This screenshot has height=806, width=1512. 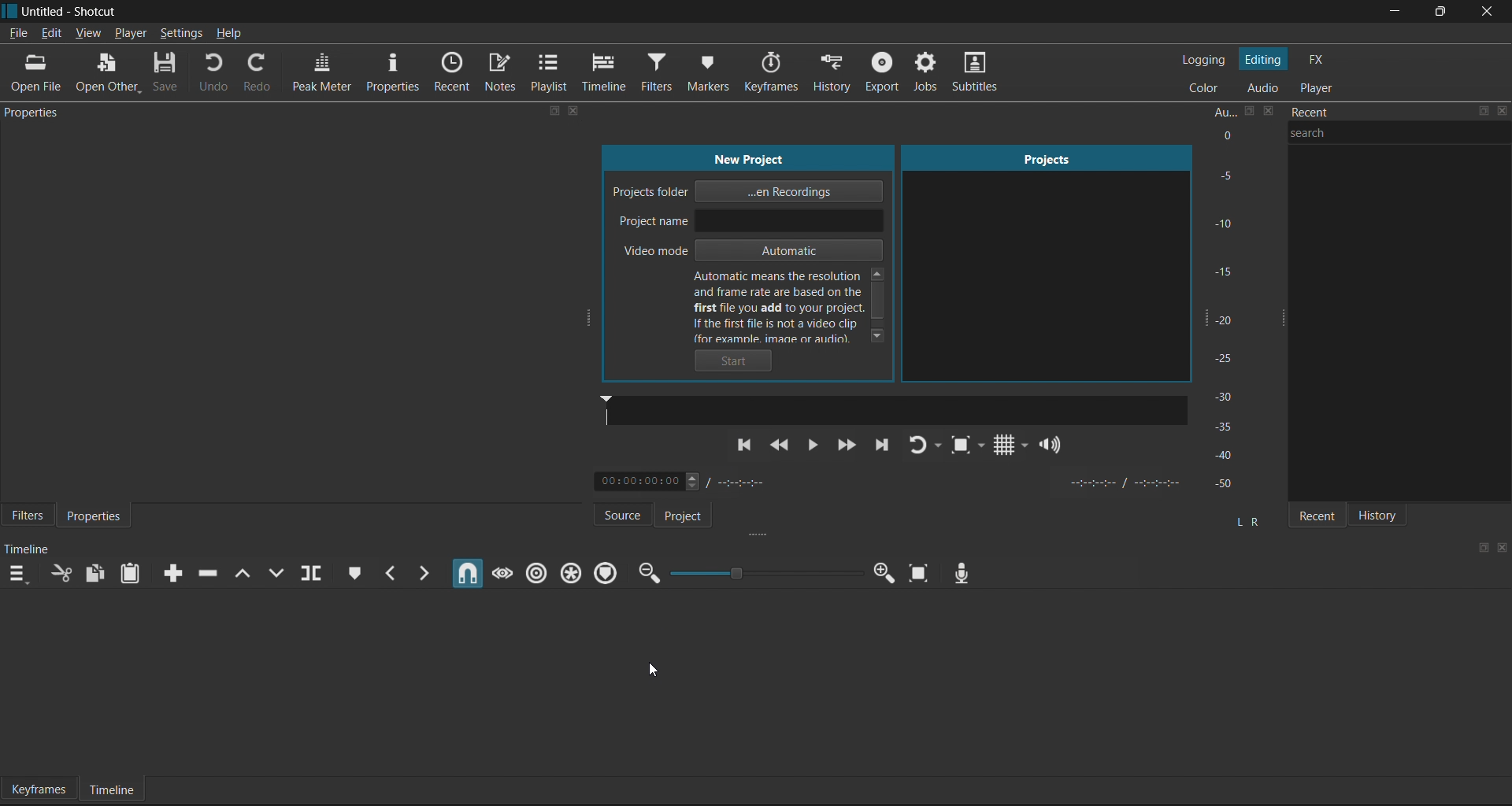 I want to click on Properties, so click(x=98, y=516).